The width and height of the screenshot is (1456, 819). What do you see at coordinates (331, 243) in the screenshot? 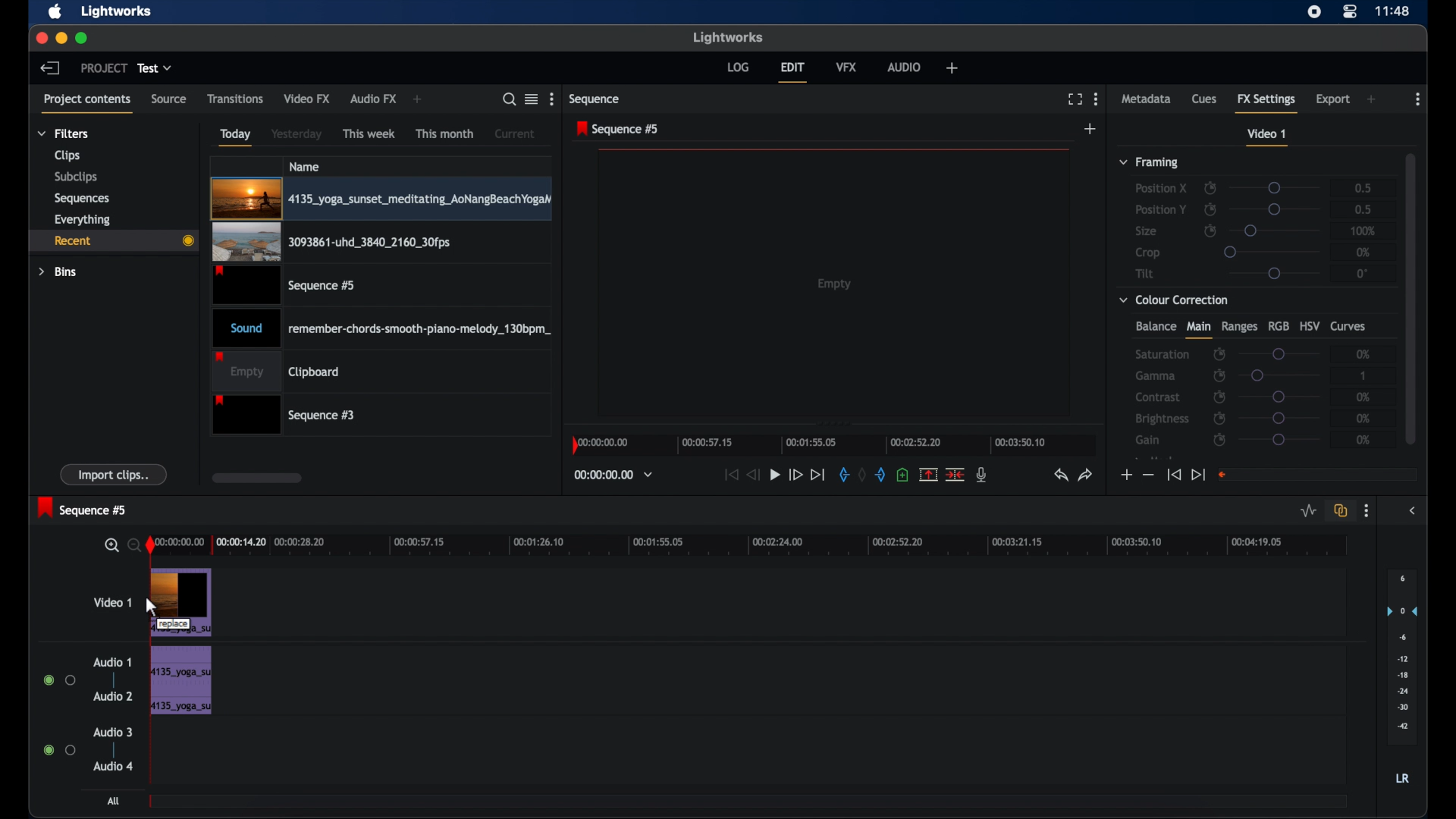
I see `video clip` at bounding box center [331, 243].